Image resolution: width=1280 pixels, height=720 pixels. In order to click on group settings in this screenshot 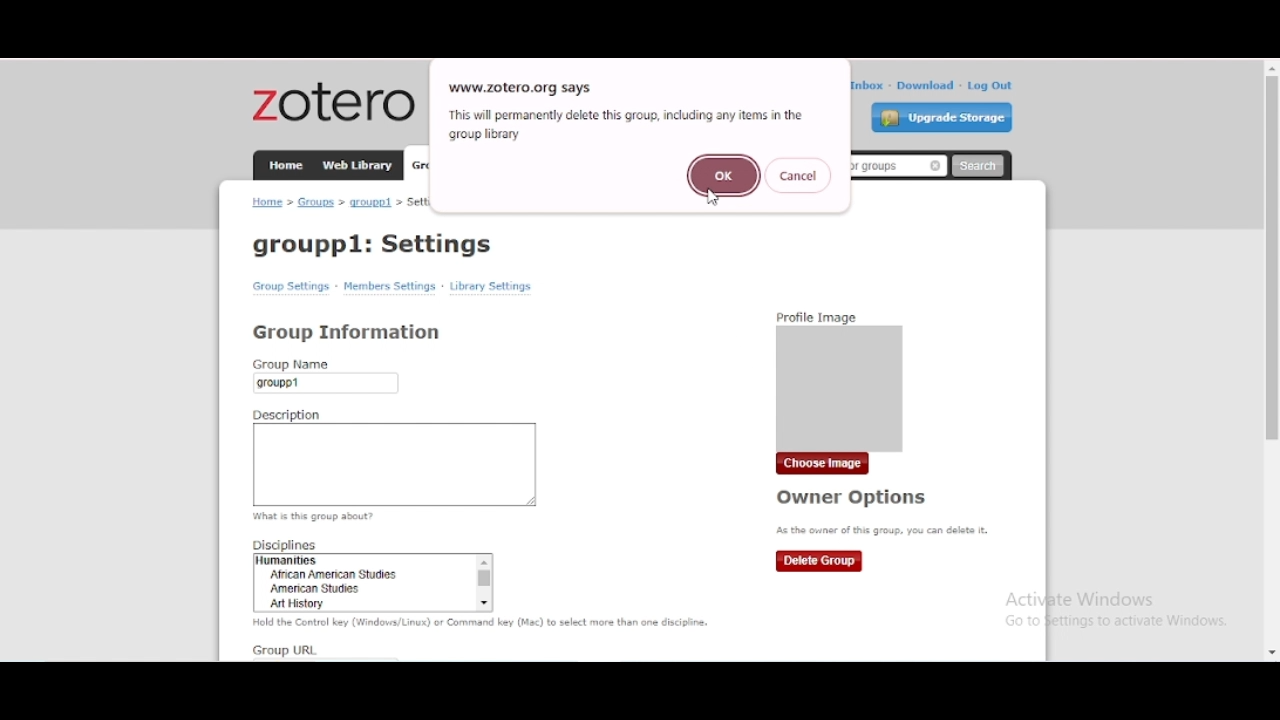, I will do `click(291, 287)`.